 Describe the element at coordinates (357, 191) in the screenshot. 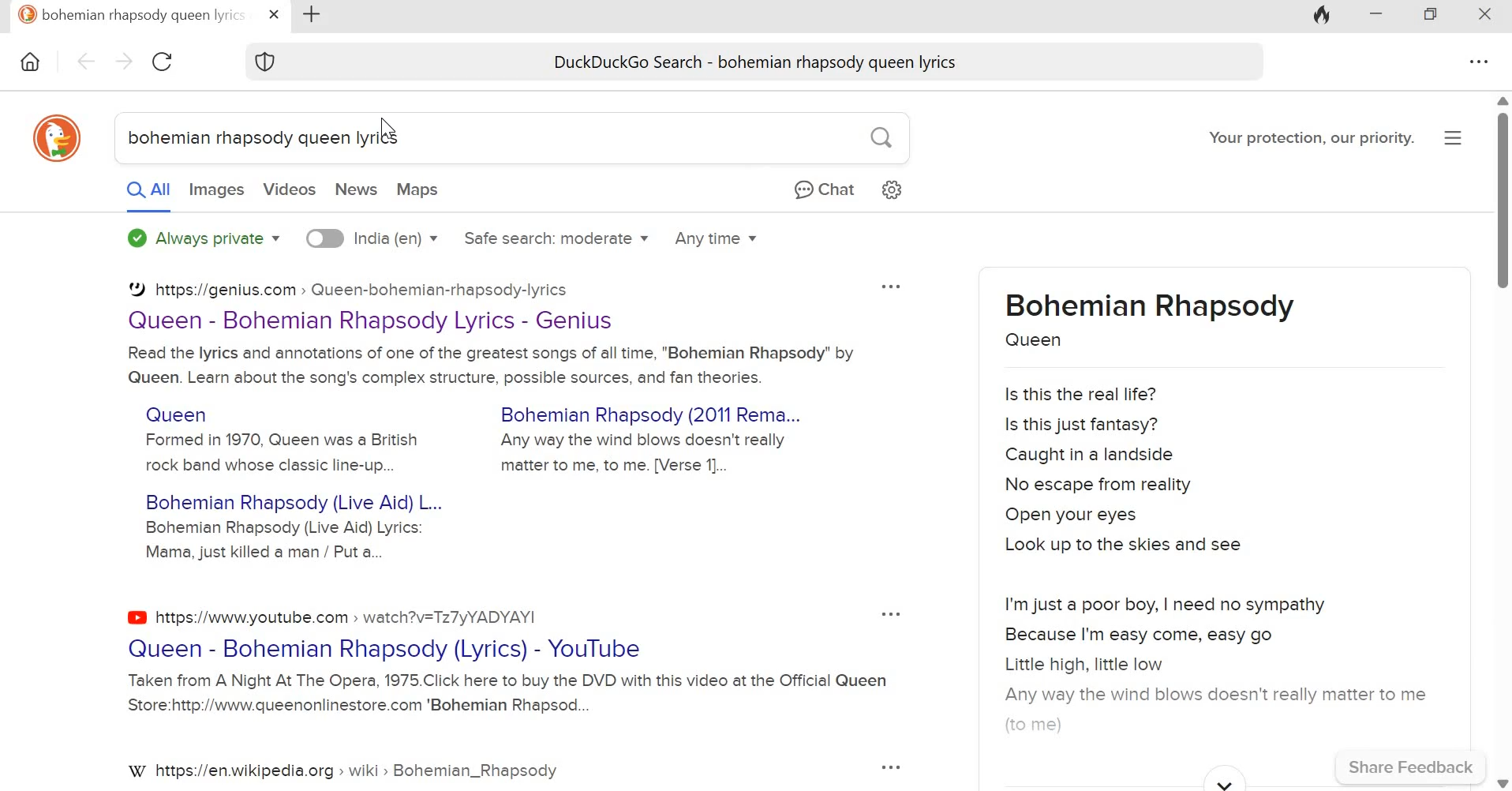

I see `News` at that location.